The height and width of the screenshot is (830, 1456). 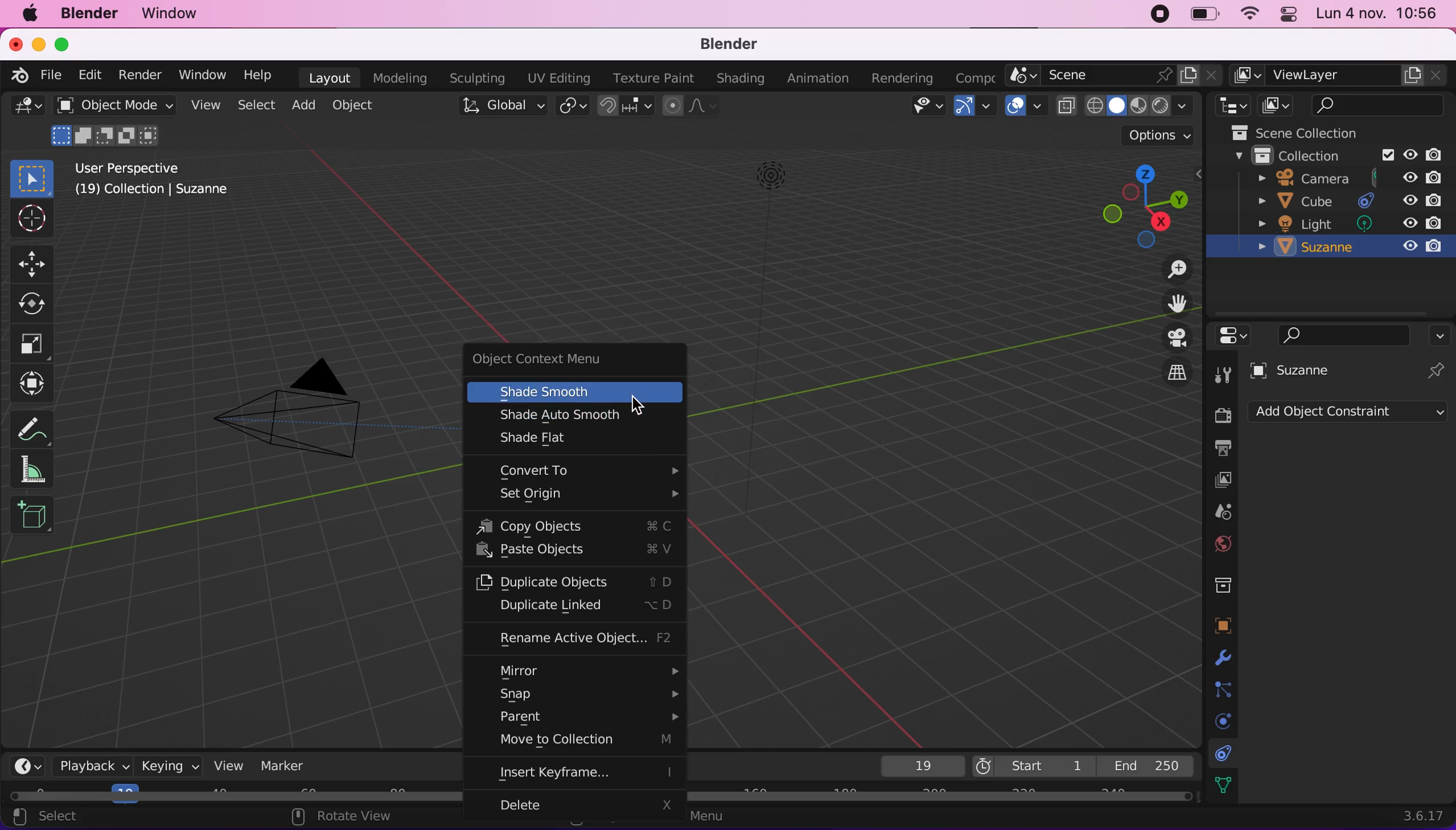 I want to click on recording stopped, so click(x=1161, y=15).